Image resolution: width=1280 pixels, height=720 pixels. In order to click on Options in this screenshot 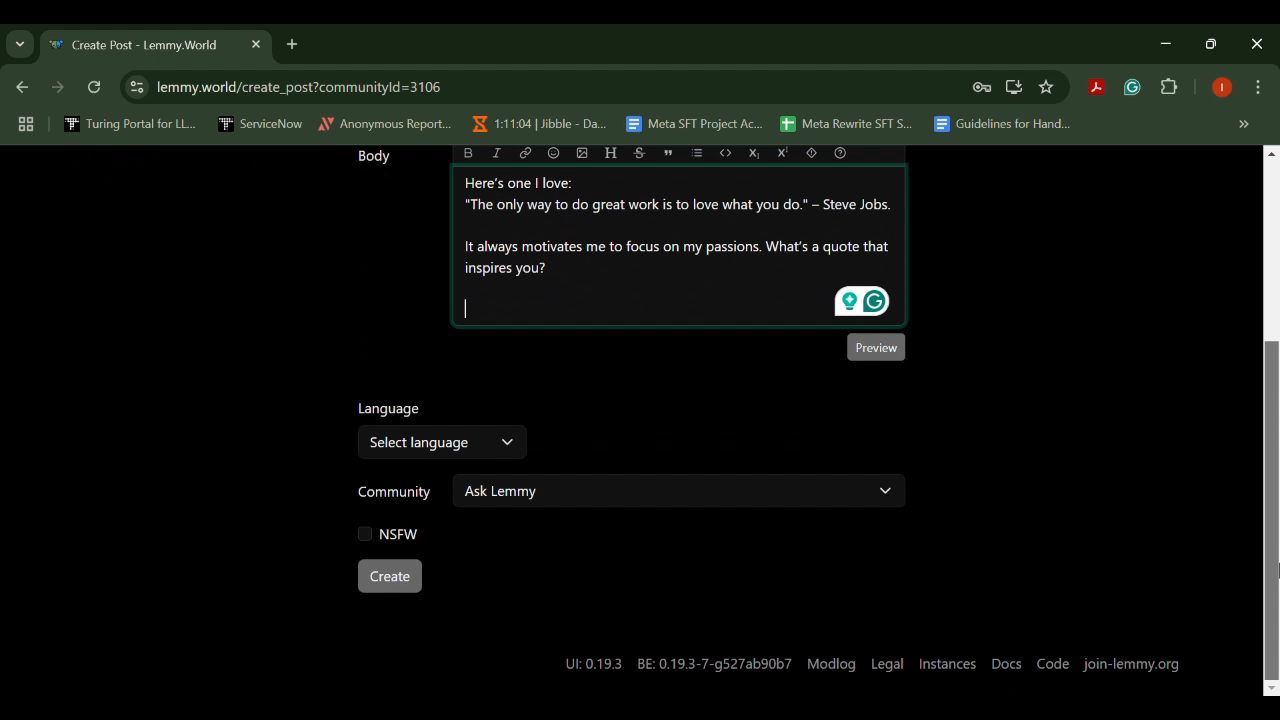, I will do `click(1258, 89)`.